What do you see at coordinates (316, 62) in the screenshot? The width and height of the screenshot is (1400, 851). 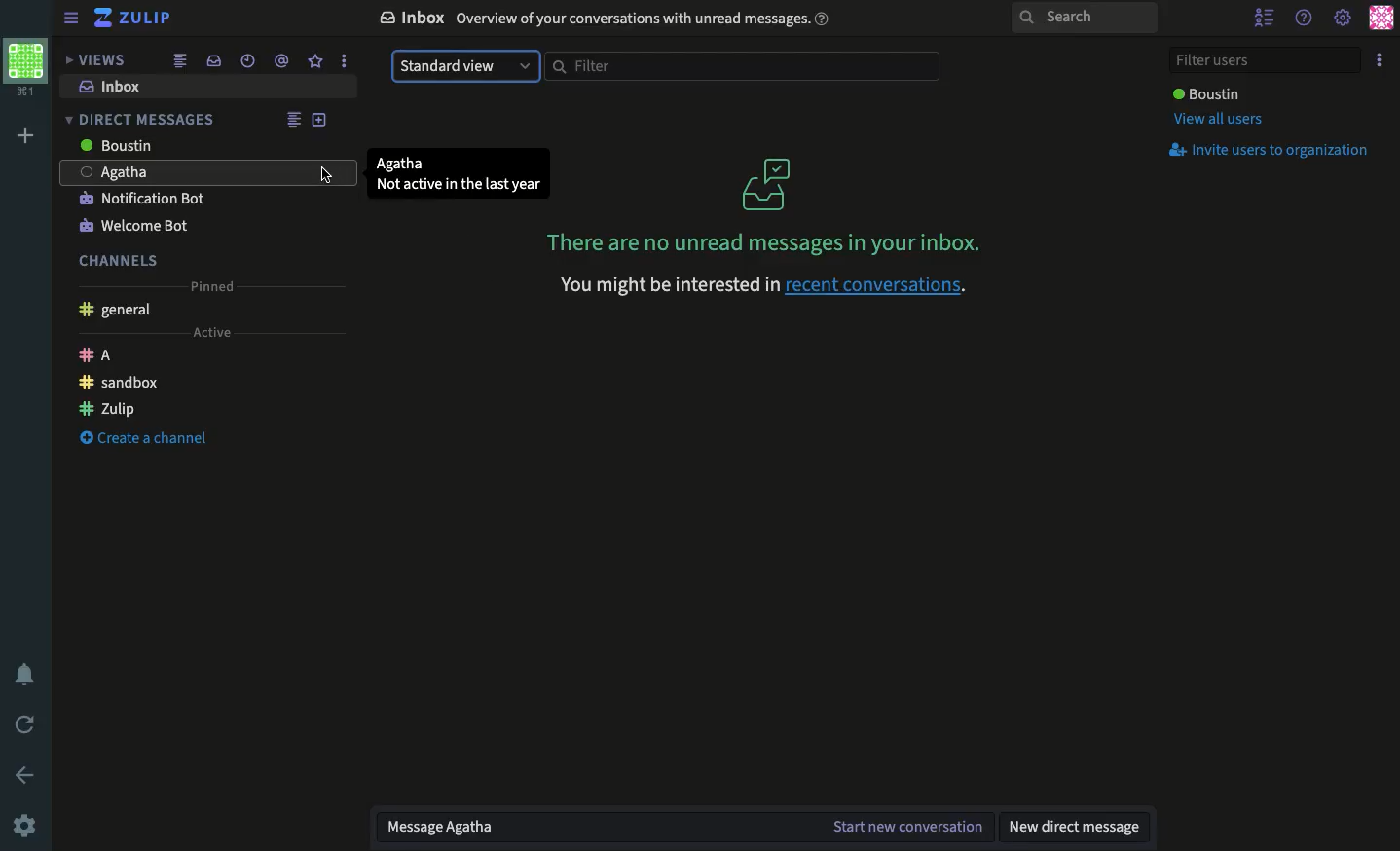 I see `Favorite` at bounding box center [316, 62].